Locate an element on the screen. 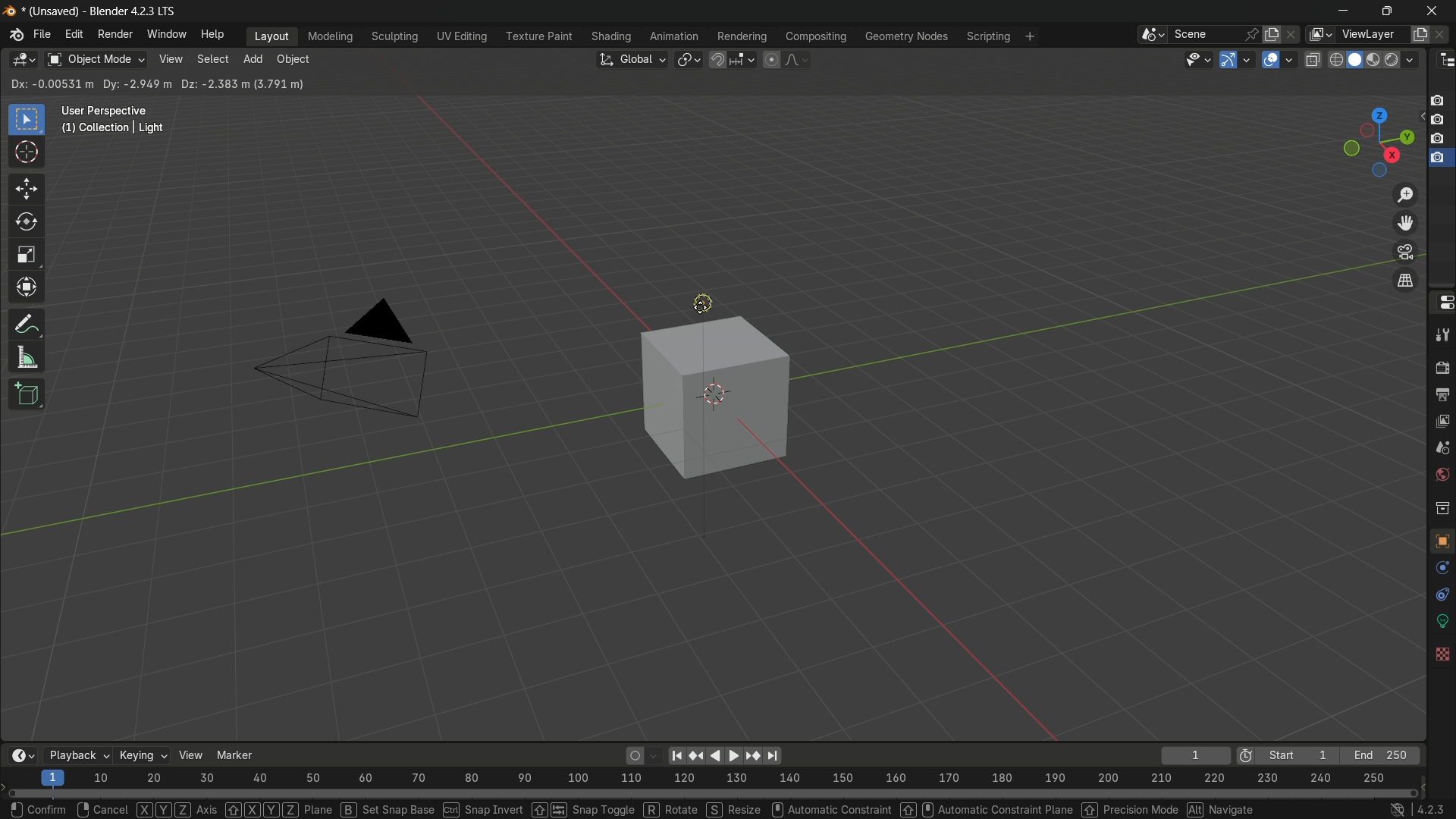  scale is located at coordinates (27, 255).